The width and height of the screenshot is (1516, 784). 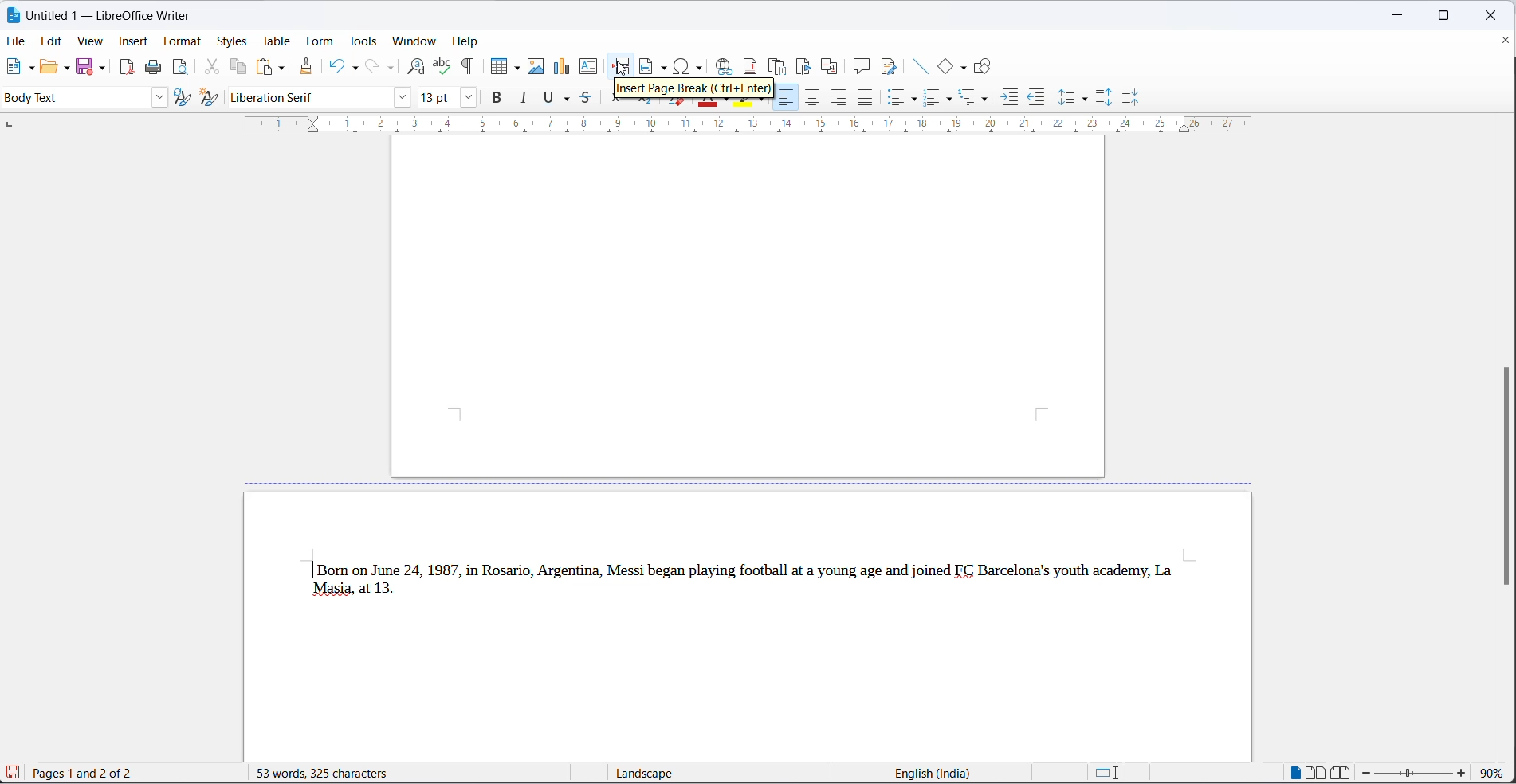 I want to click on file, so click(x=17, y=42).